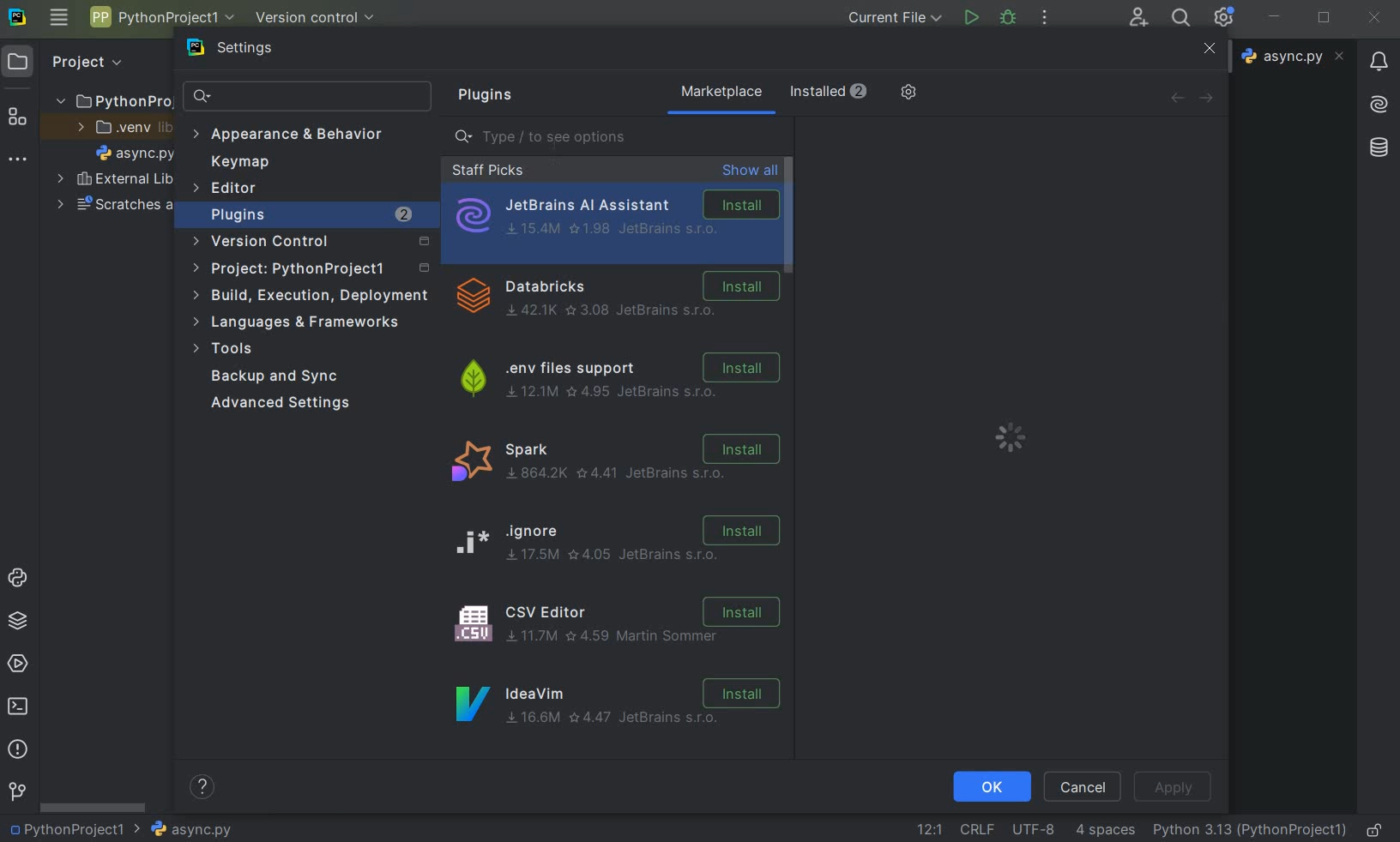 This screenshot has height=842, width=1400. I want to click on type/ to see options, so click(612, 137).